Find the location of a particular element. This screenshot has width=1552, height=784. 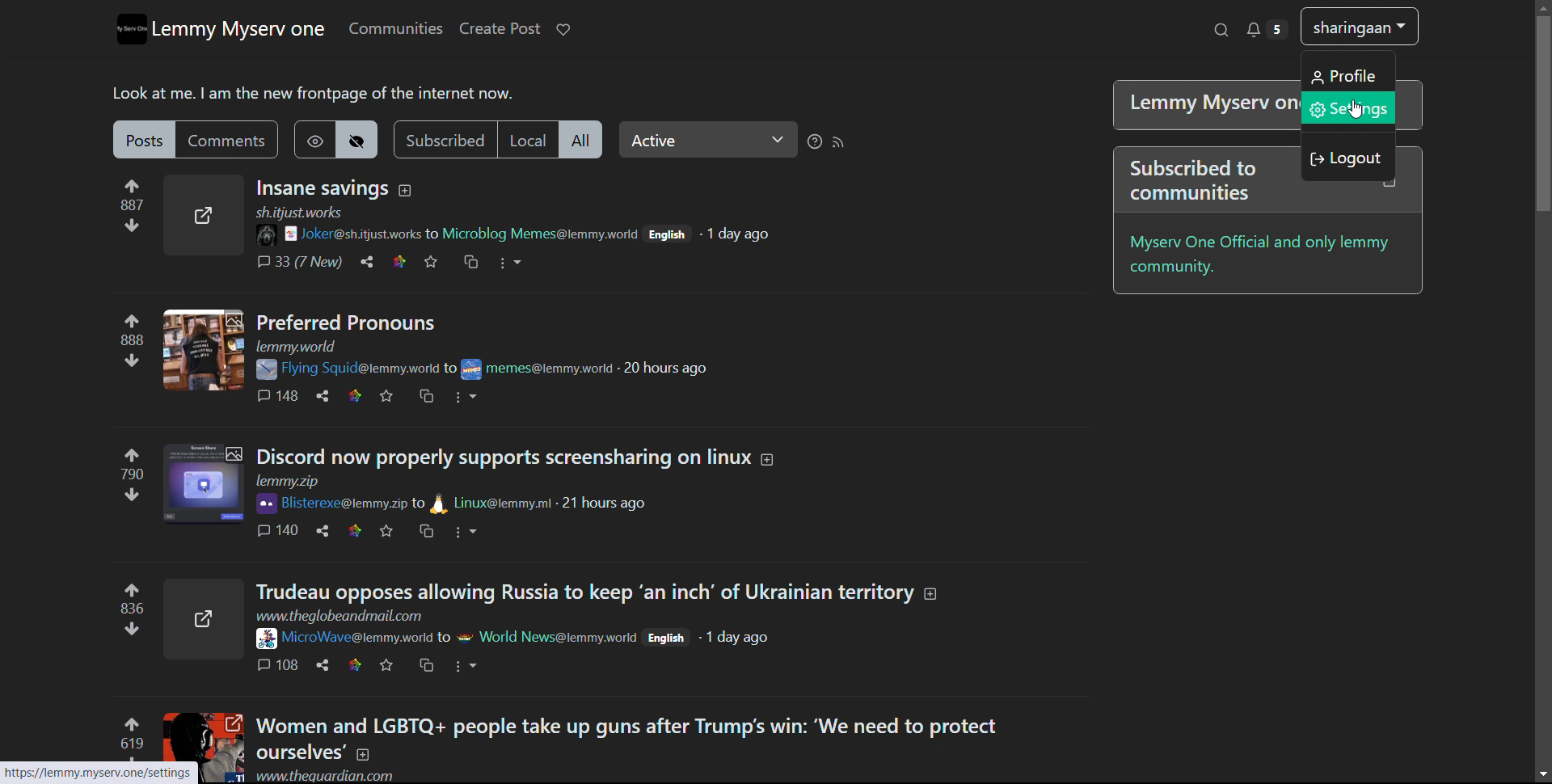

url is located at coordinates (297, 347).